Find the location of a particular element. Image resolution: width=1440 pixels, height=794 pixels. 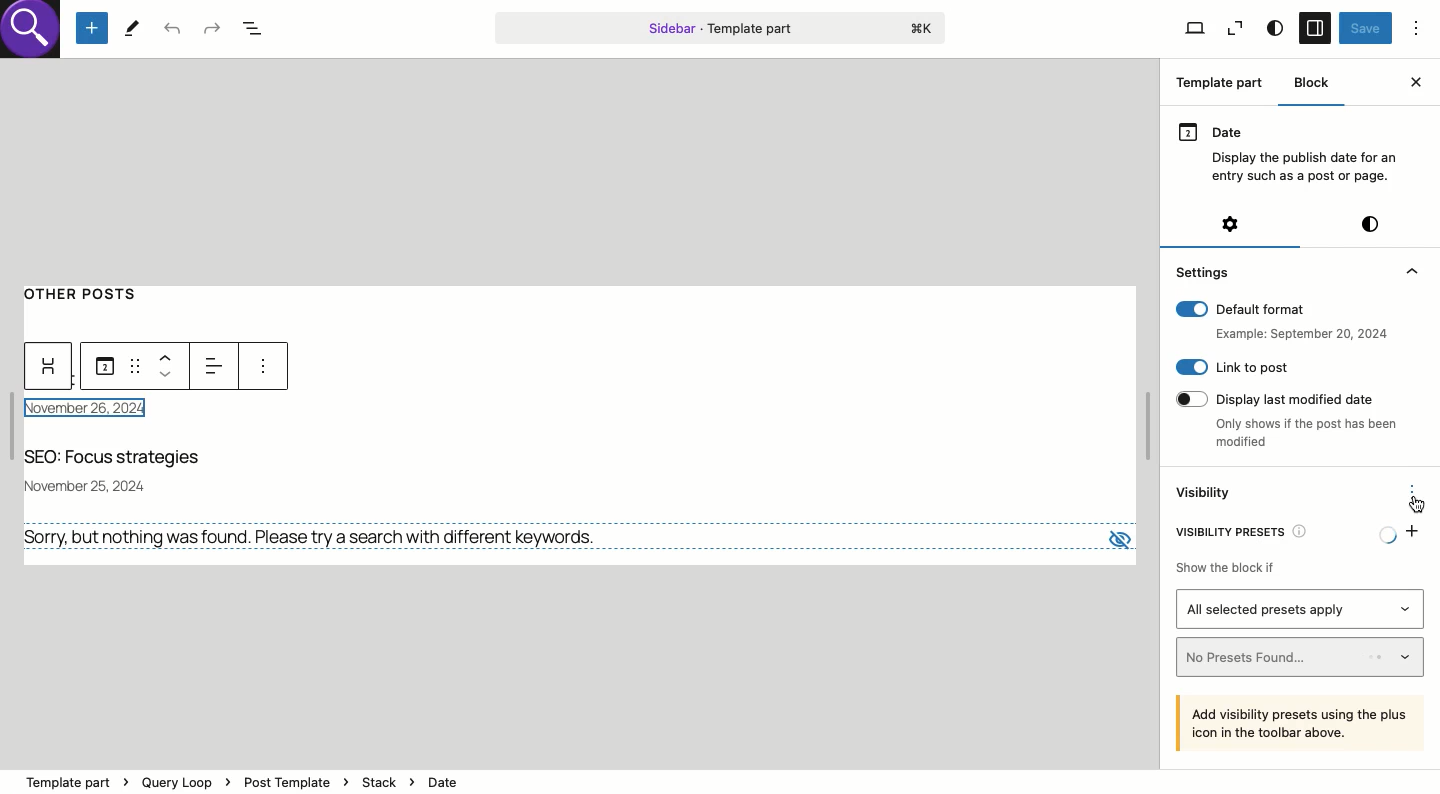

Style is located at coordinates (1274, 29).